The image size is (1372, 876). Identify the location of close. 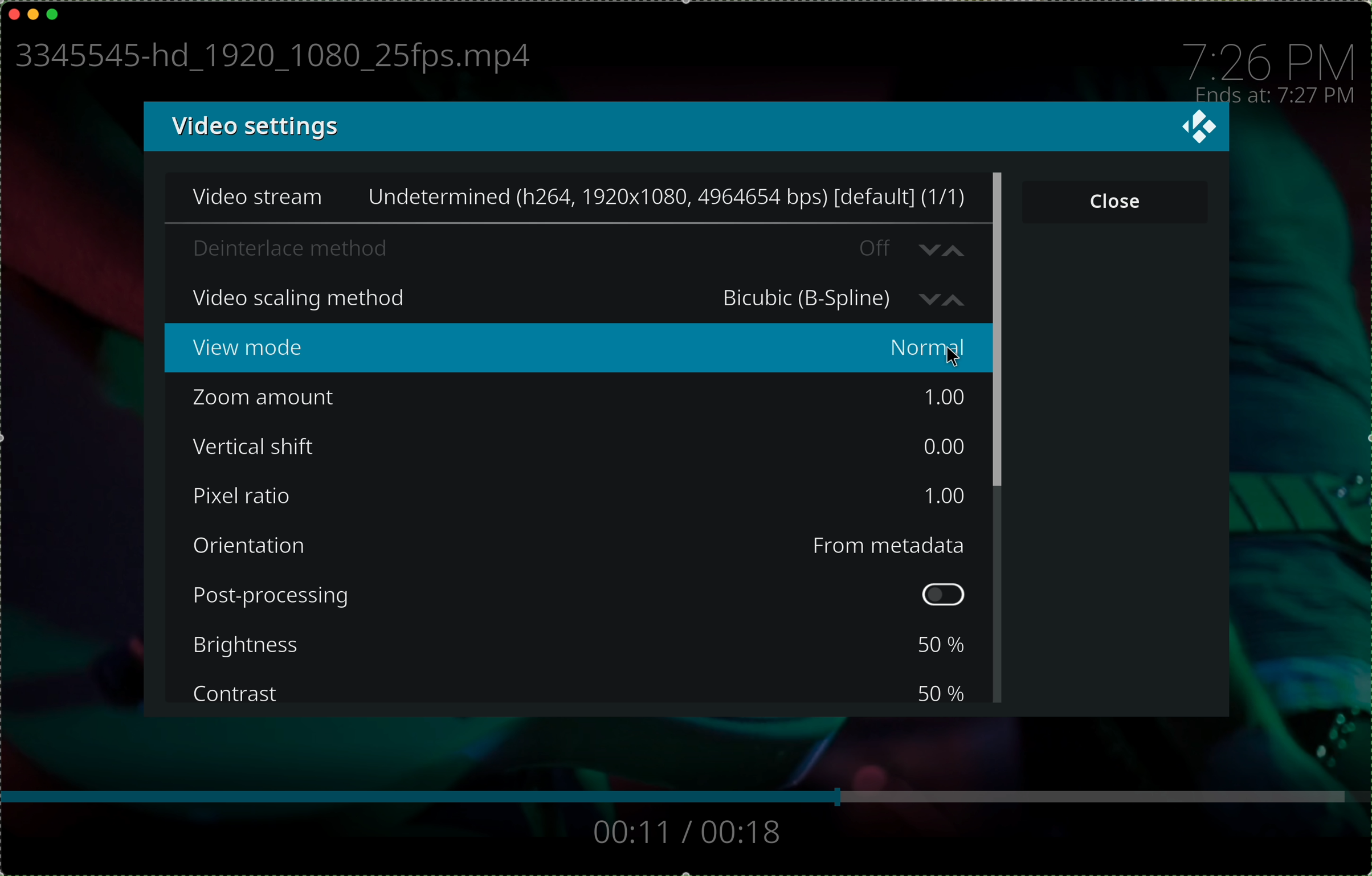
(14, 12).